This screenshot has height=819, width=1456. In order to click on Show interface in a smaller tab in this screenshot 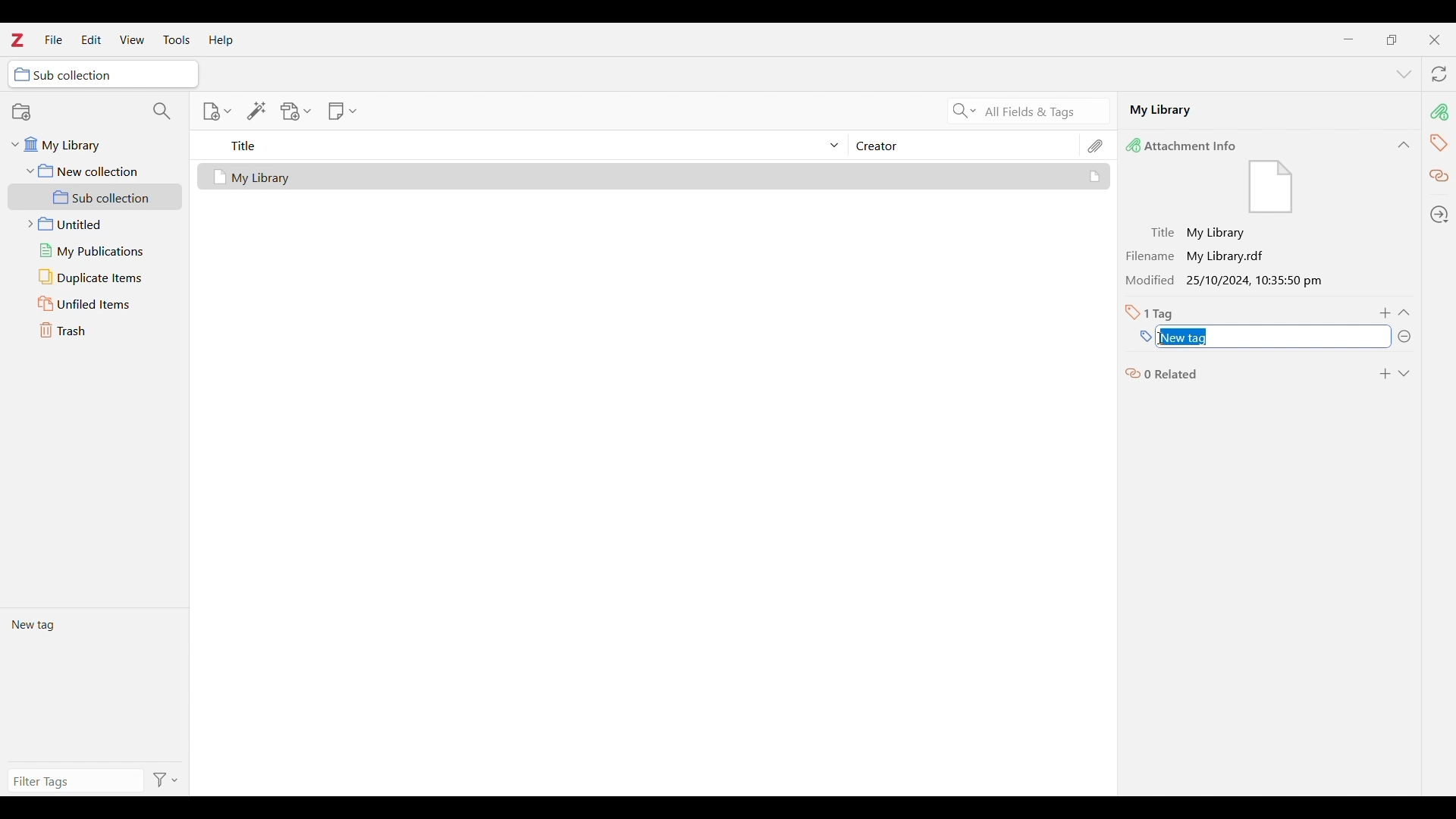, I will do `click(1392, 39)`.